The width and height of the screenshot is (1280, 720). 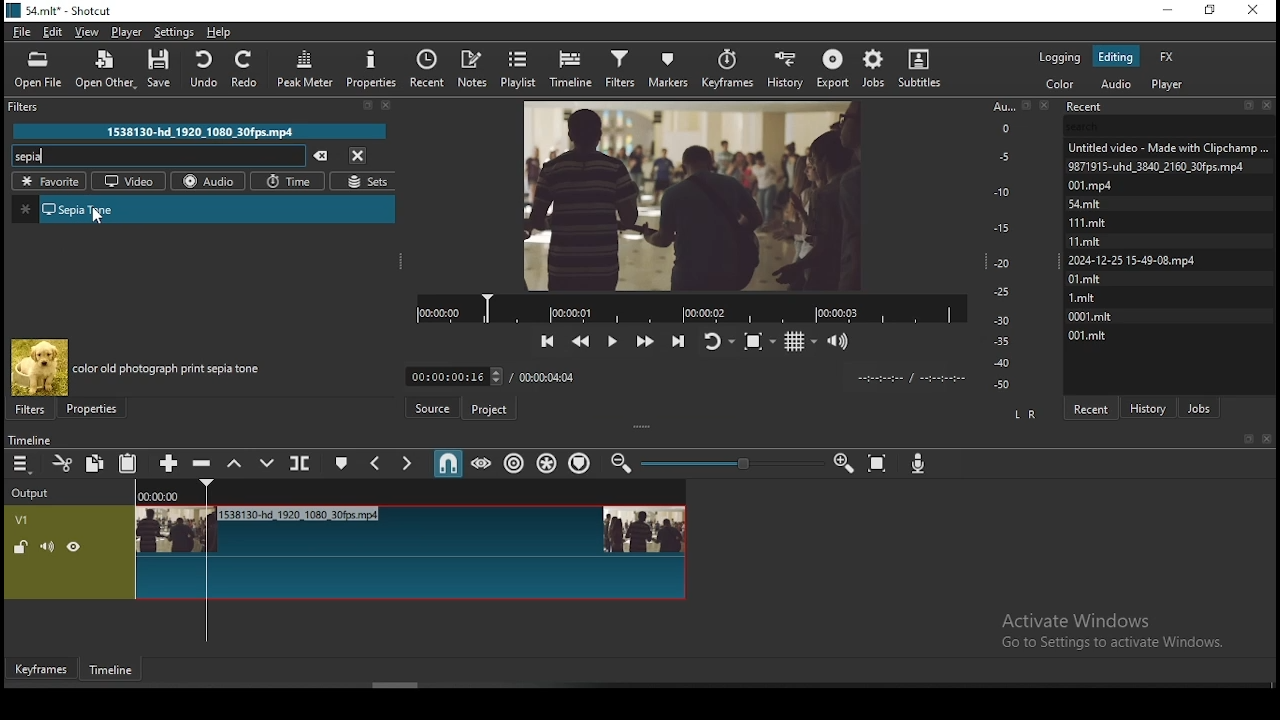 I want to click on cursor, so click(x=101, y=217).